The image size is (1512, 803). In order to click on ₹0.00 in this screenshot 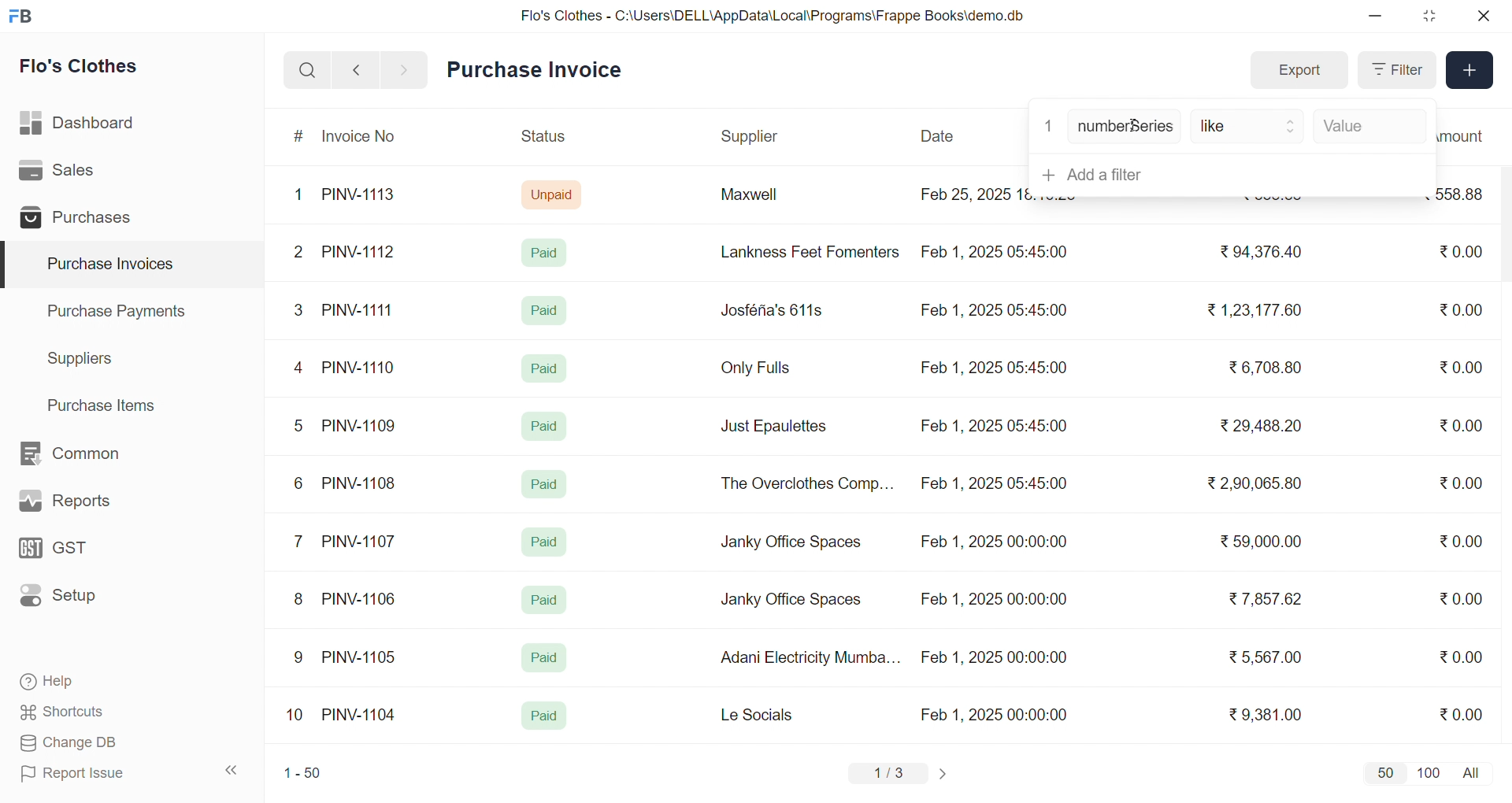, I will do `click(1461, 713)`.